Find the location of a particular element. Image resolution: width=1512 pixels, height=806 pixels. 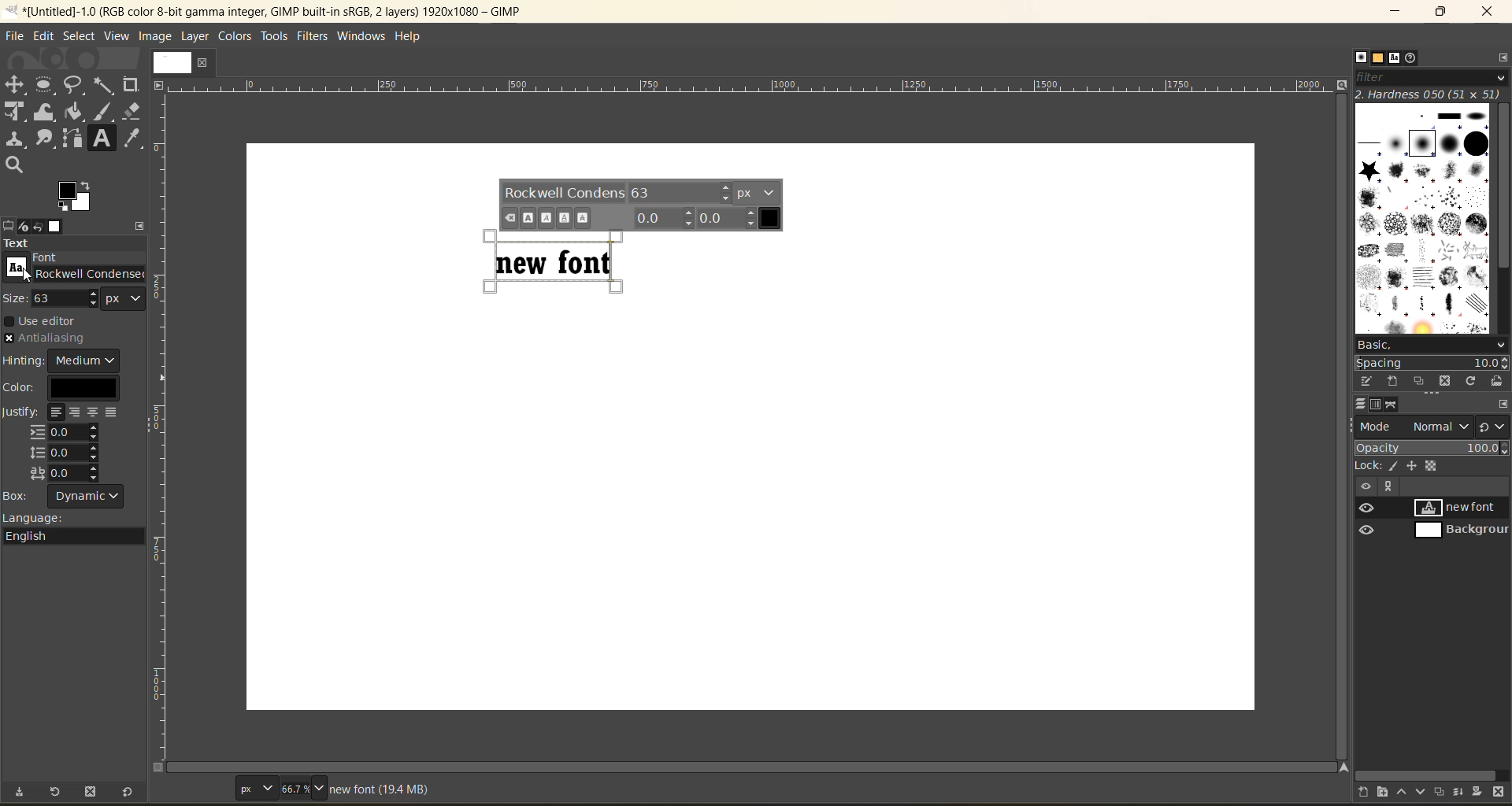

size is located at coordinates (72, 298).